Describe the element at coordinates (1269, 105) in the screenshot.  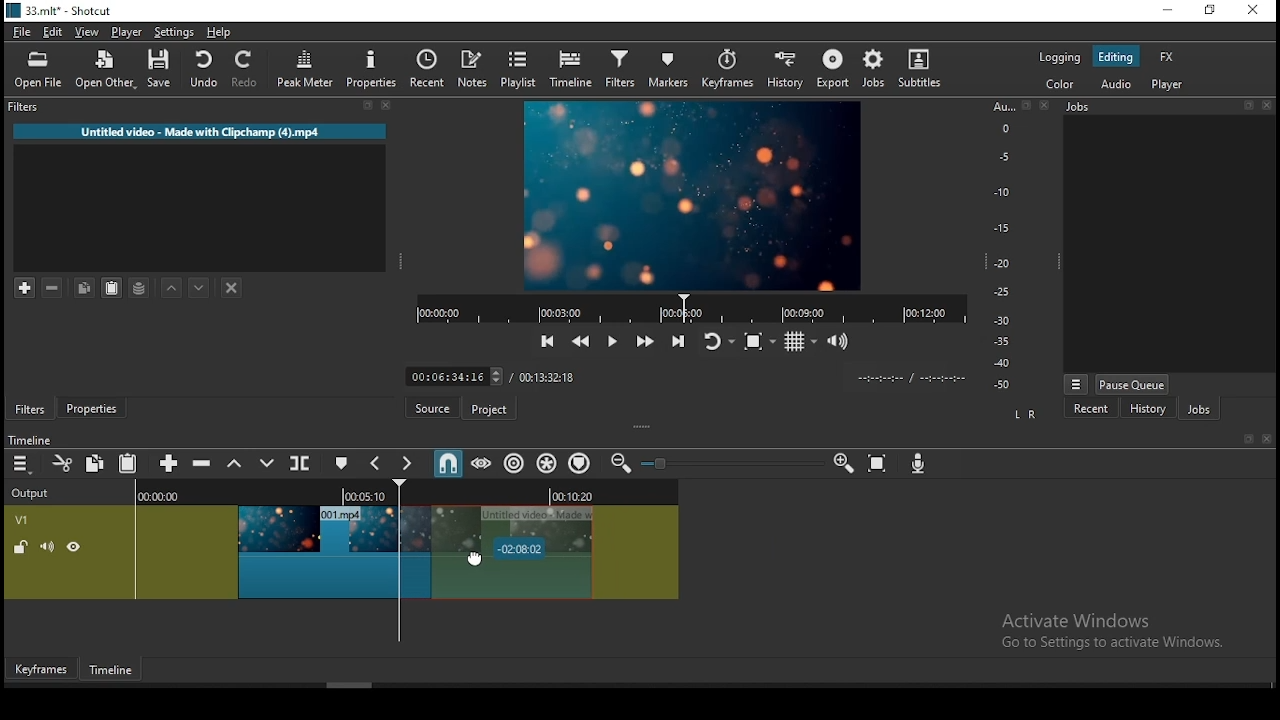
I see `` at that location.